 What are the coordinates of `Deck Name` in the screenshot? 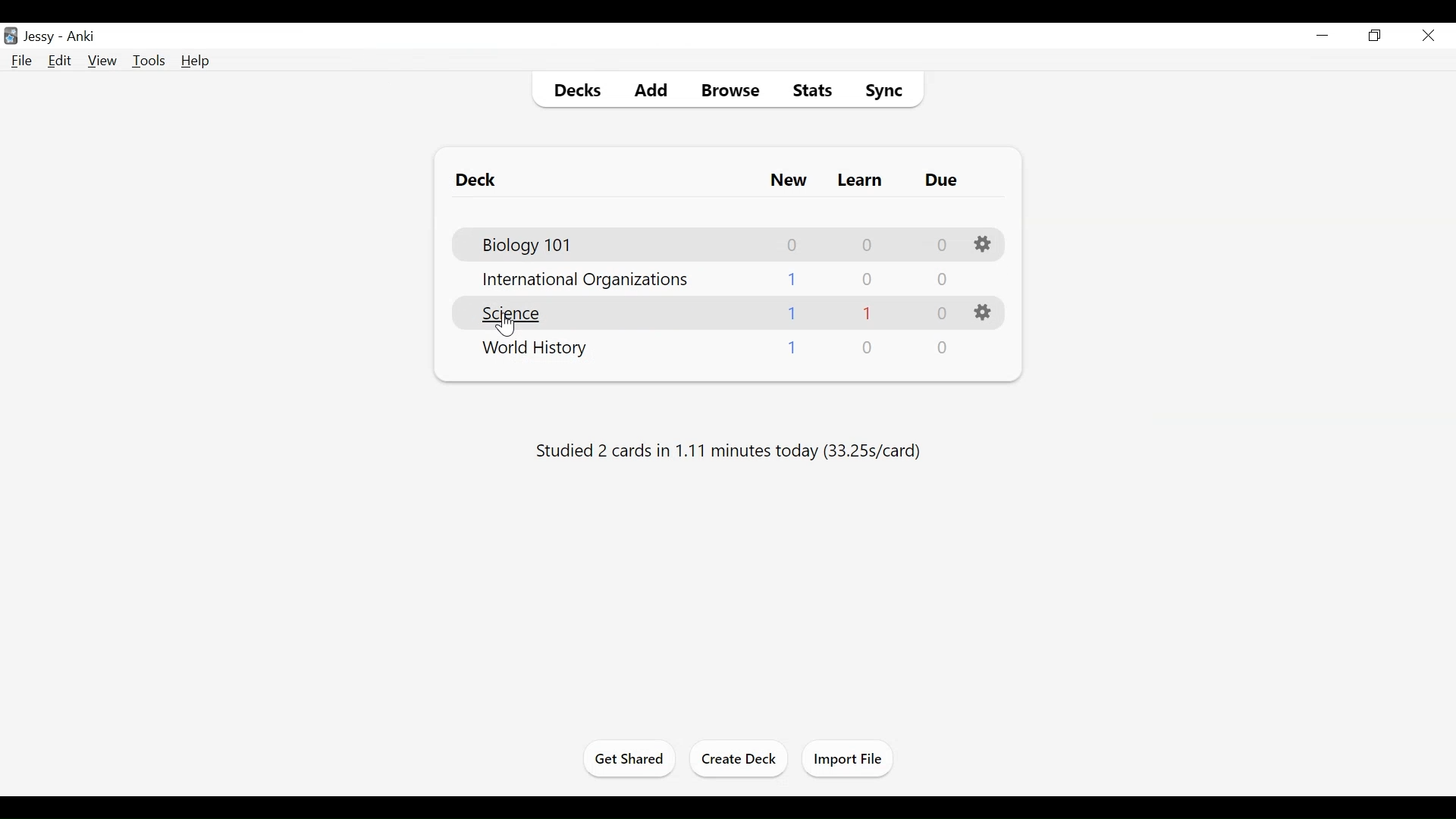 It's located at (518, 314).